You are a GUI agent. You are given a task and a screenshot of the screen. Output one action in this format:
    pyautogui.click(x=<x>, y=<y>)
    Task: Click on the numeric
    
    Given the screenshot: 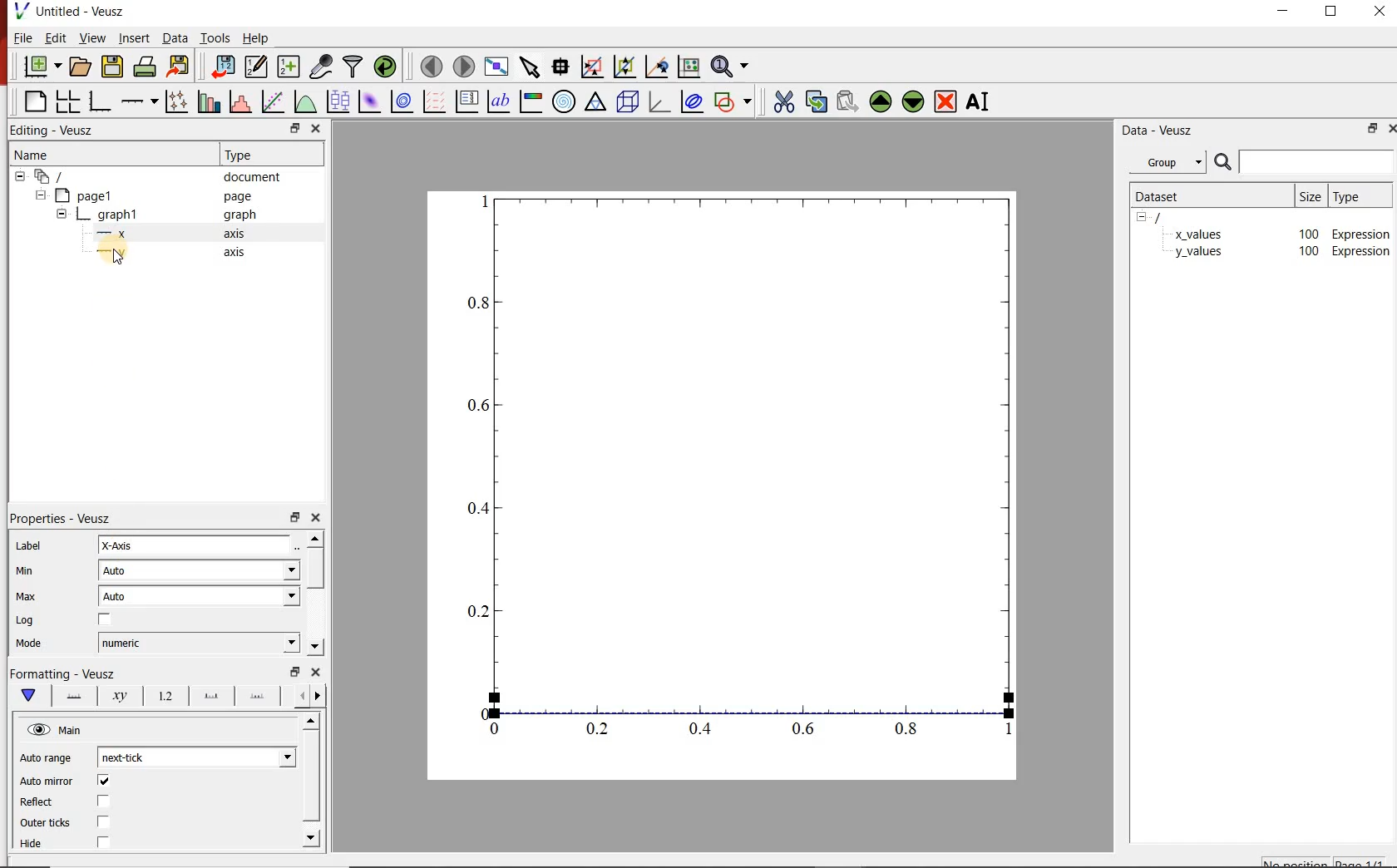 What is the action you would take?
    pyautogui.click(x=198, y=642)
    